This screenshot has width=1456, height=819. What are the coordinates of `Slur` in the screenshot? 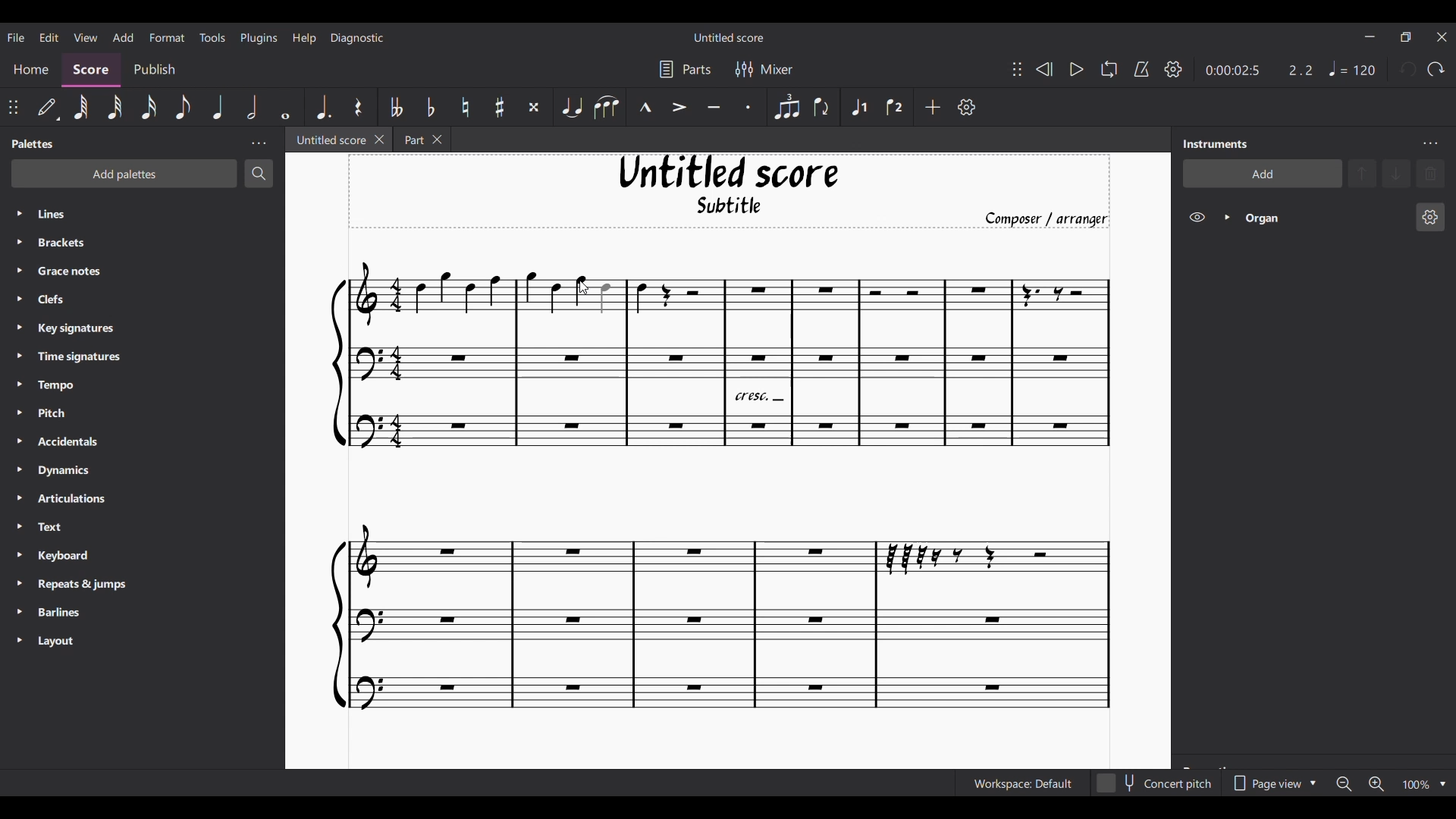 It's located at (607, 107).